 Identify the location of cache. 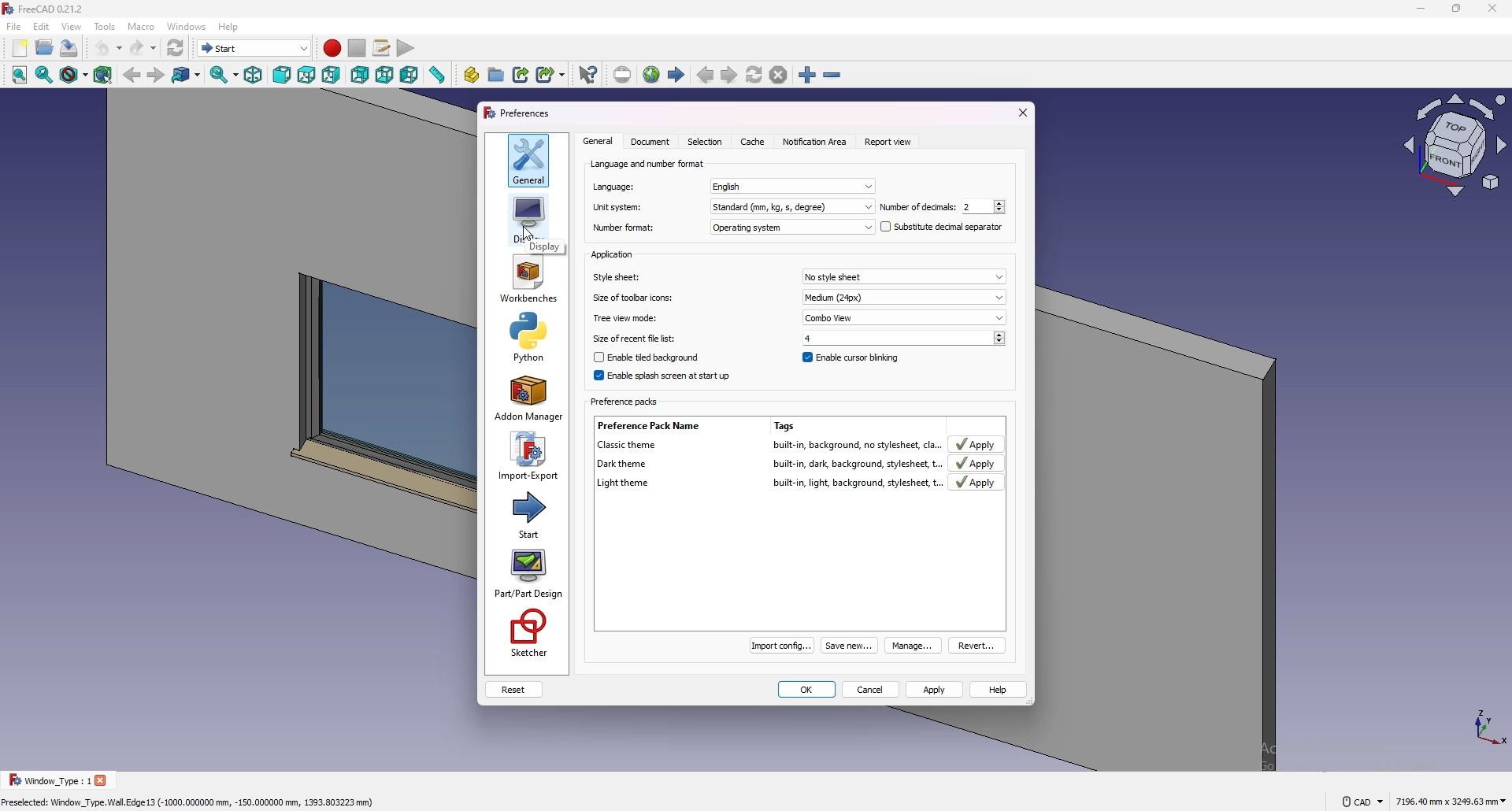
(751, 140).